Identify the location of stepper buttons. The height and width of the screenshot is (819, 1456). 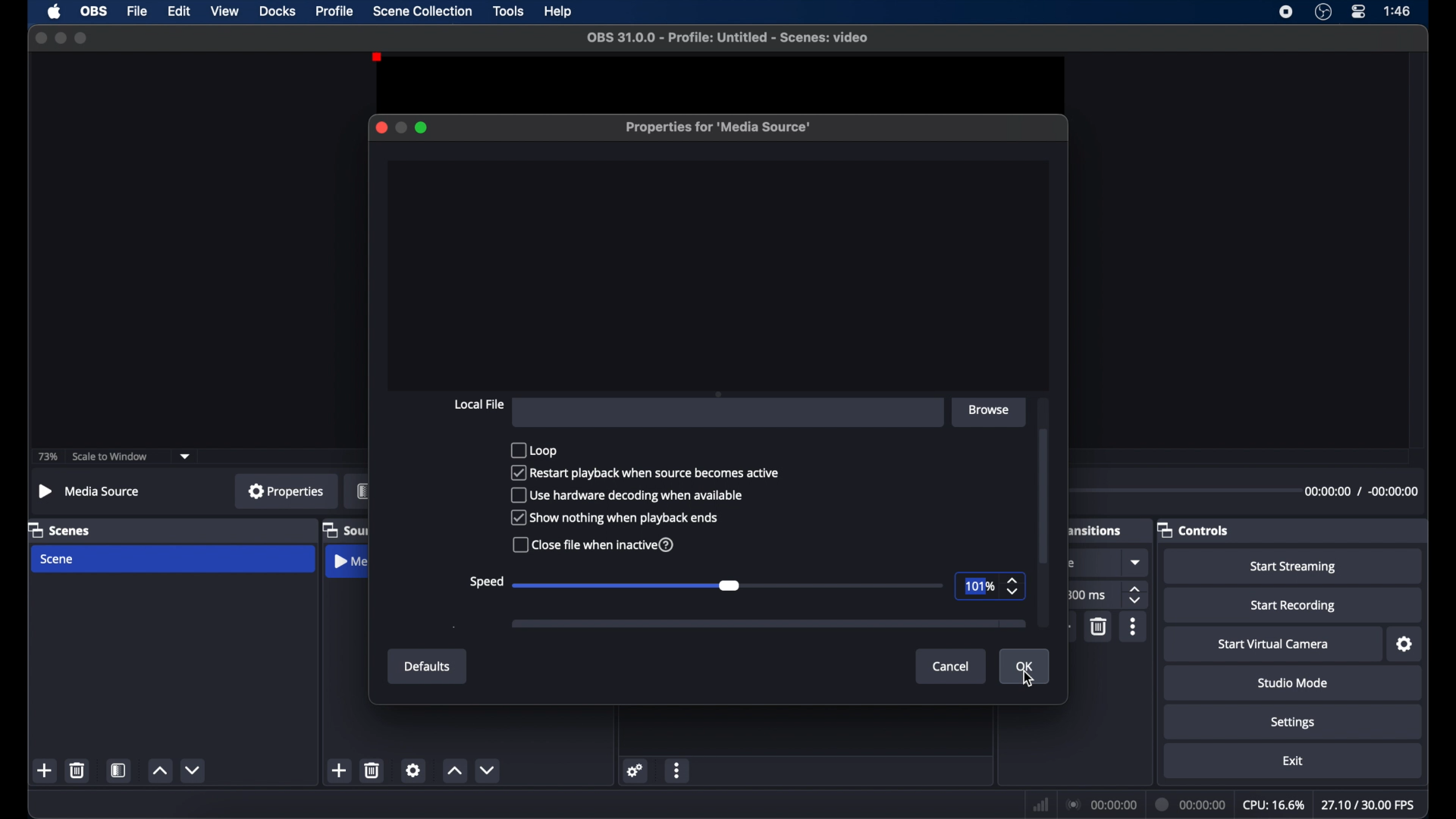
(1136, 595).